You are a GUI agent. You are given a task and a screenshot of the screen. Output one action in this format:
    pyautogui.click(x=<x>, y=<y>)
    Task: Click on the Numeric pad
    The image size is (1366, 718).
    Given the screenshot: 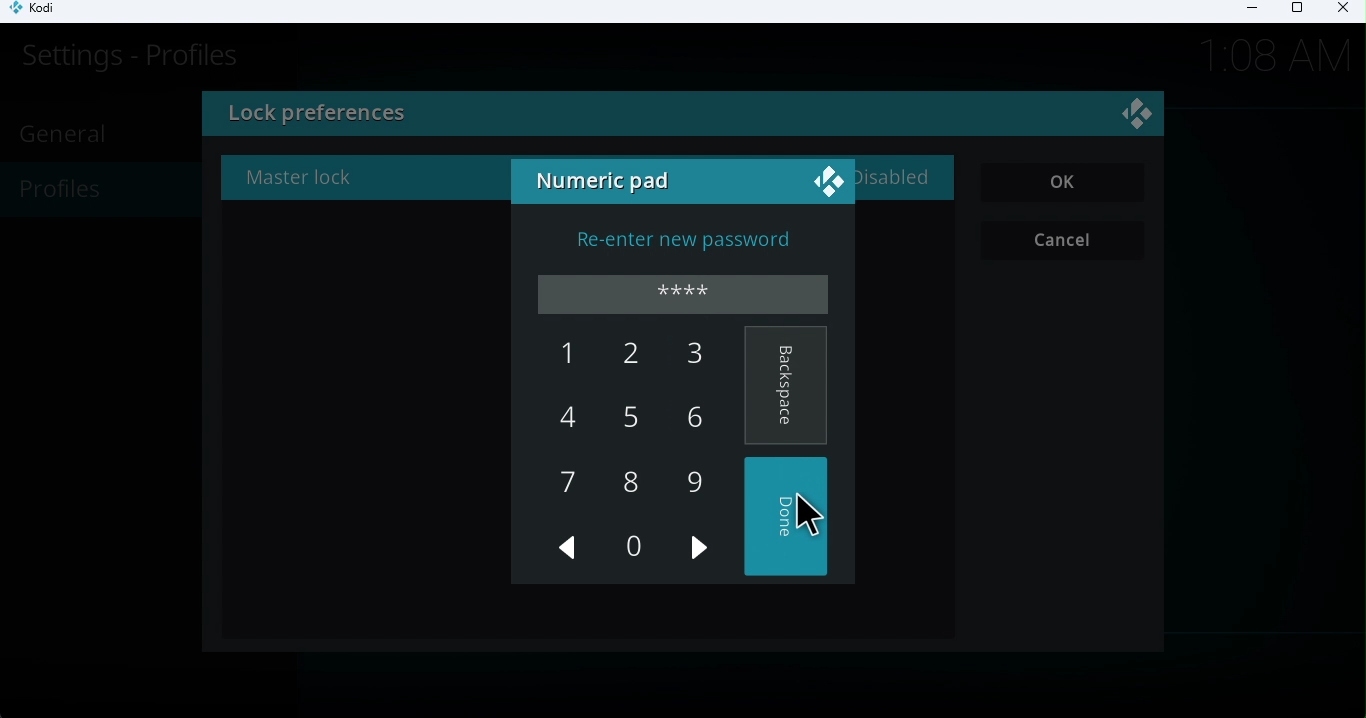 What is the action you would take?
    pyautogui.click(x=607, y=183)
    